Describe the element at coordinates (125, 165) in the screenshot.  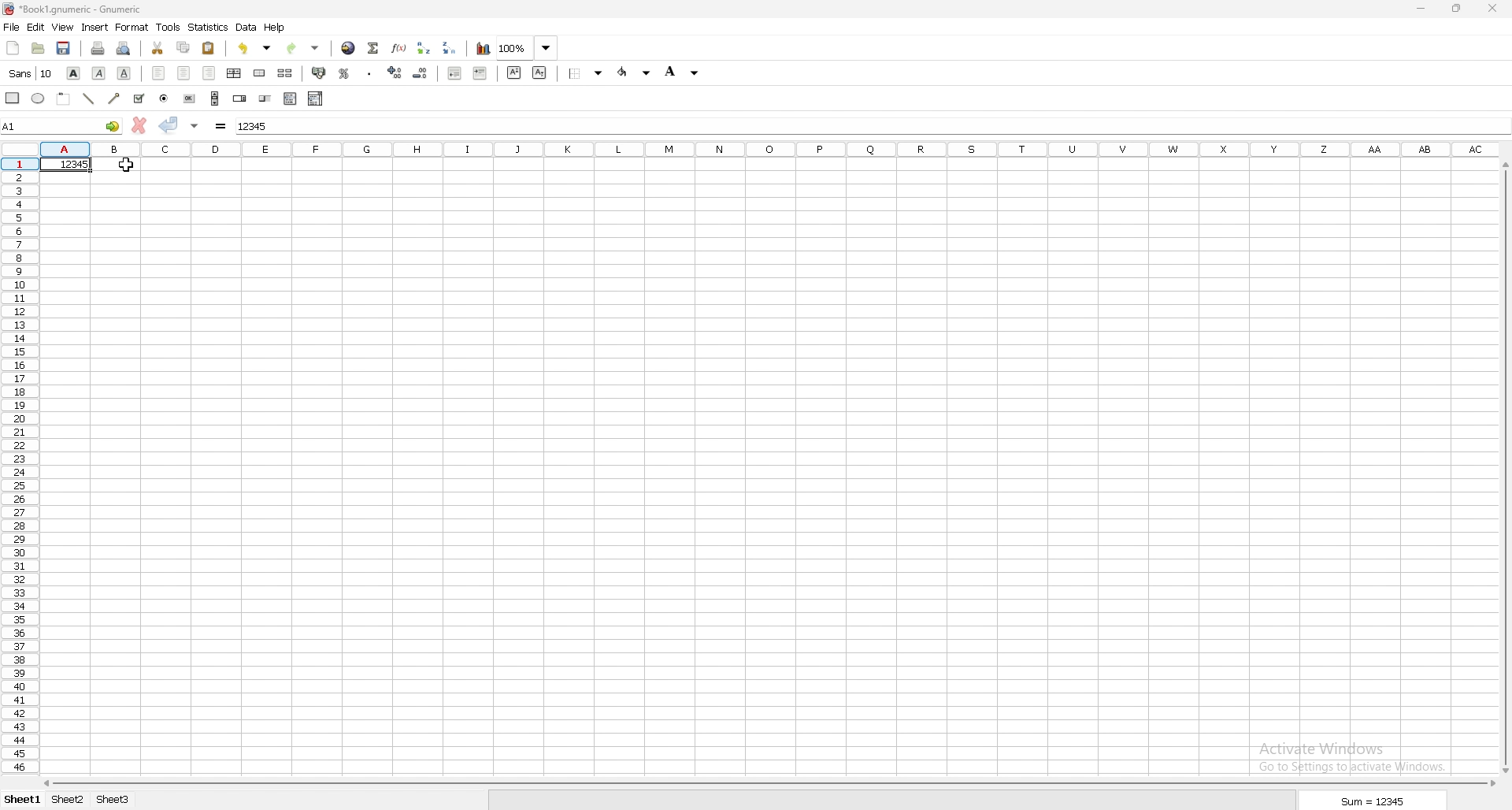
I see `cursor` at that location.